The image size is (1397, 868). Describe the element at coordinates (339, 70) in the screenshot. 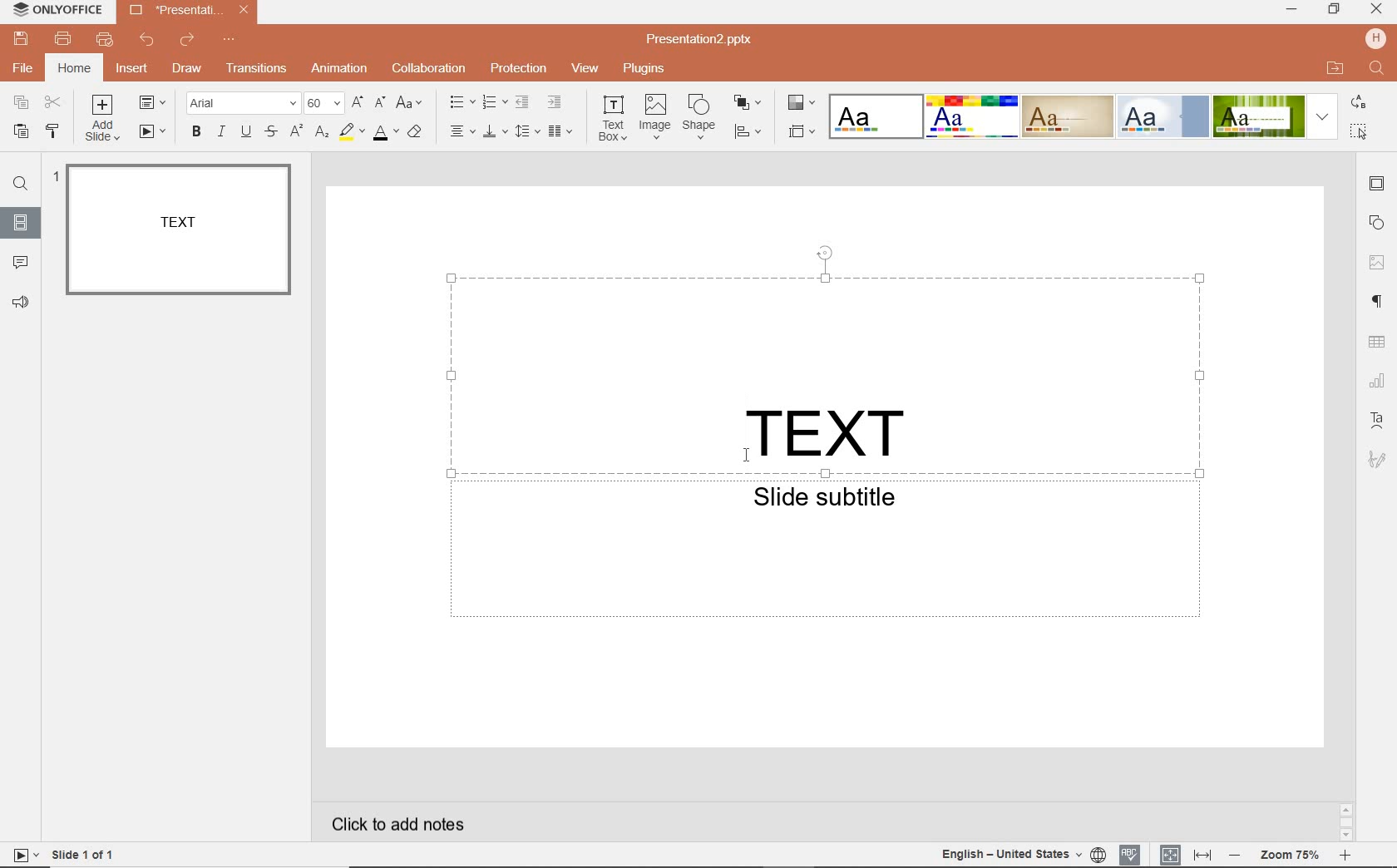

I see `ANIMATION` at that location.